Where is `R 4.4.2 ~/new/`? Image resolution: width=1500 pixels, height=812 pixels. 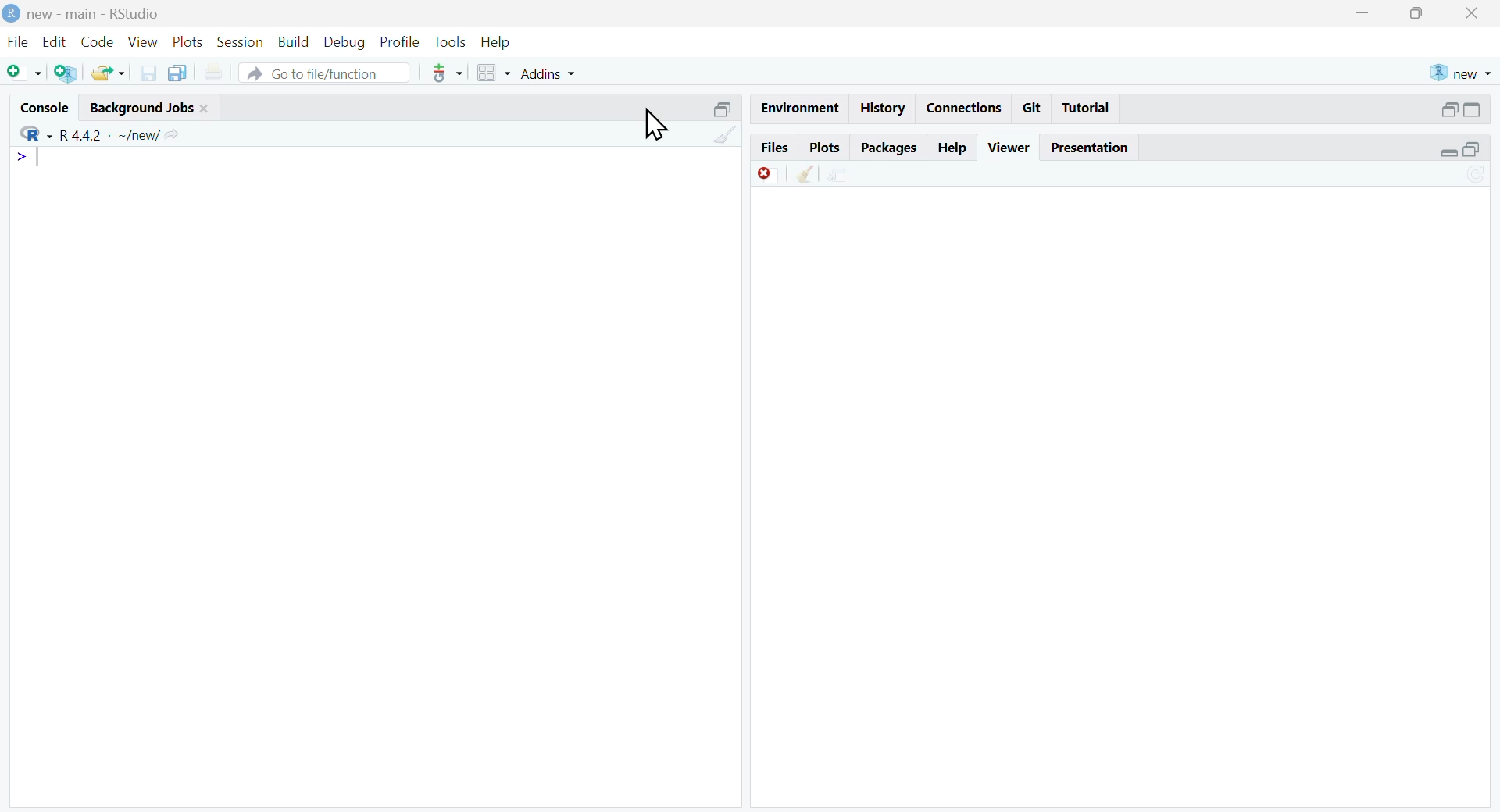 R 4.4.2 ~/new/ is located at coordinates (111, 134).